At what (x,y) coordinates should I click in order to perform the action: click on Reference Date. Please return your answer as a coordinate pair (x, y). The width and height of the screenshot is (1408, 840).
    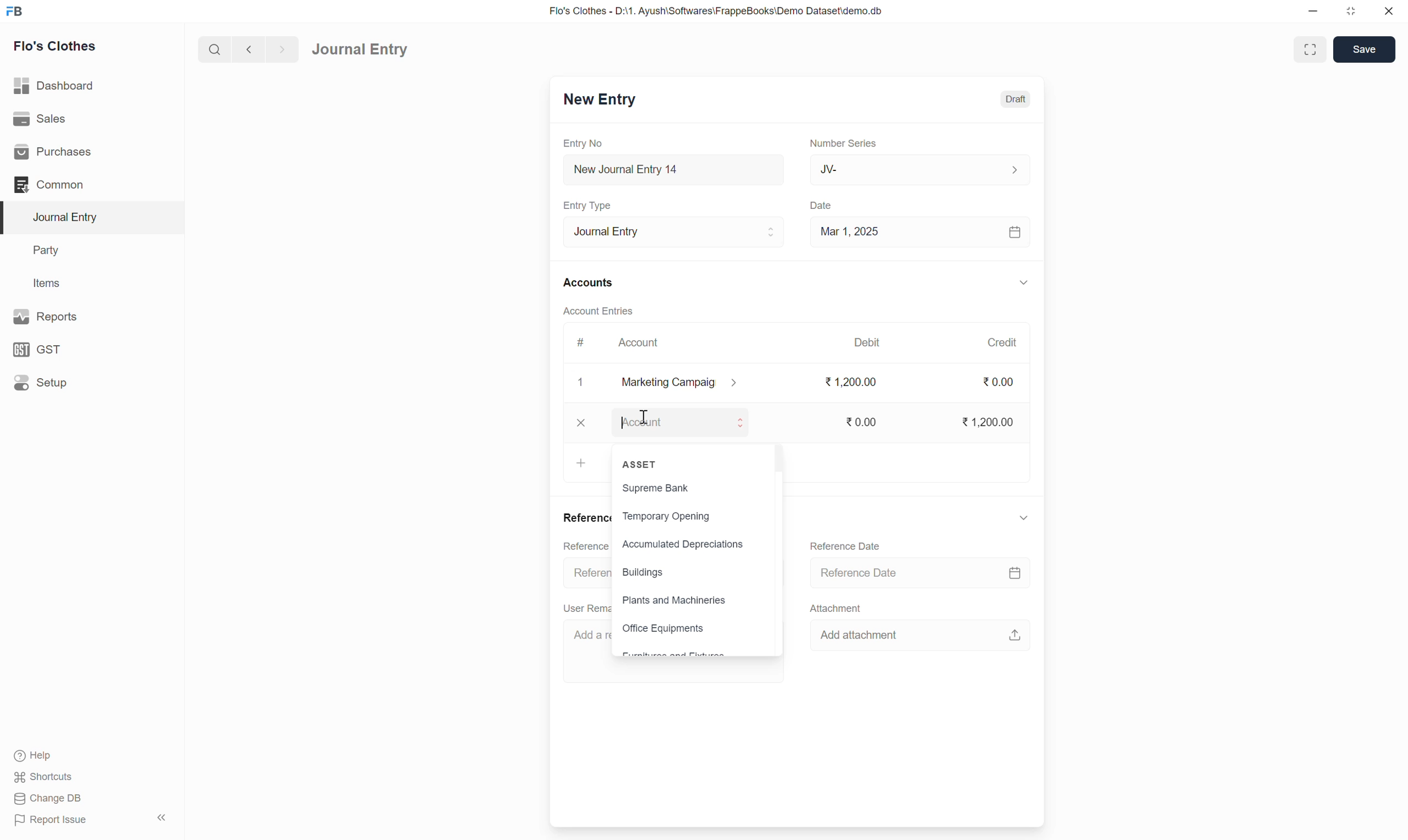
    Looking at the image, I should click on (862, 574).